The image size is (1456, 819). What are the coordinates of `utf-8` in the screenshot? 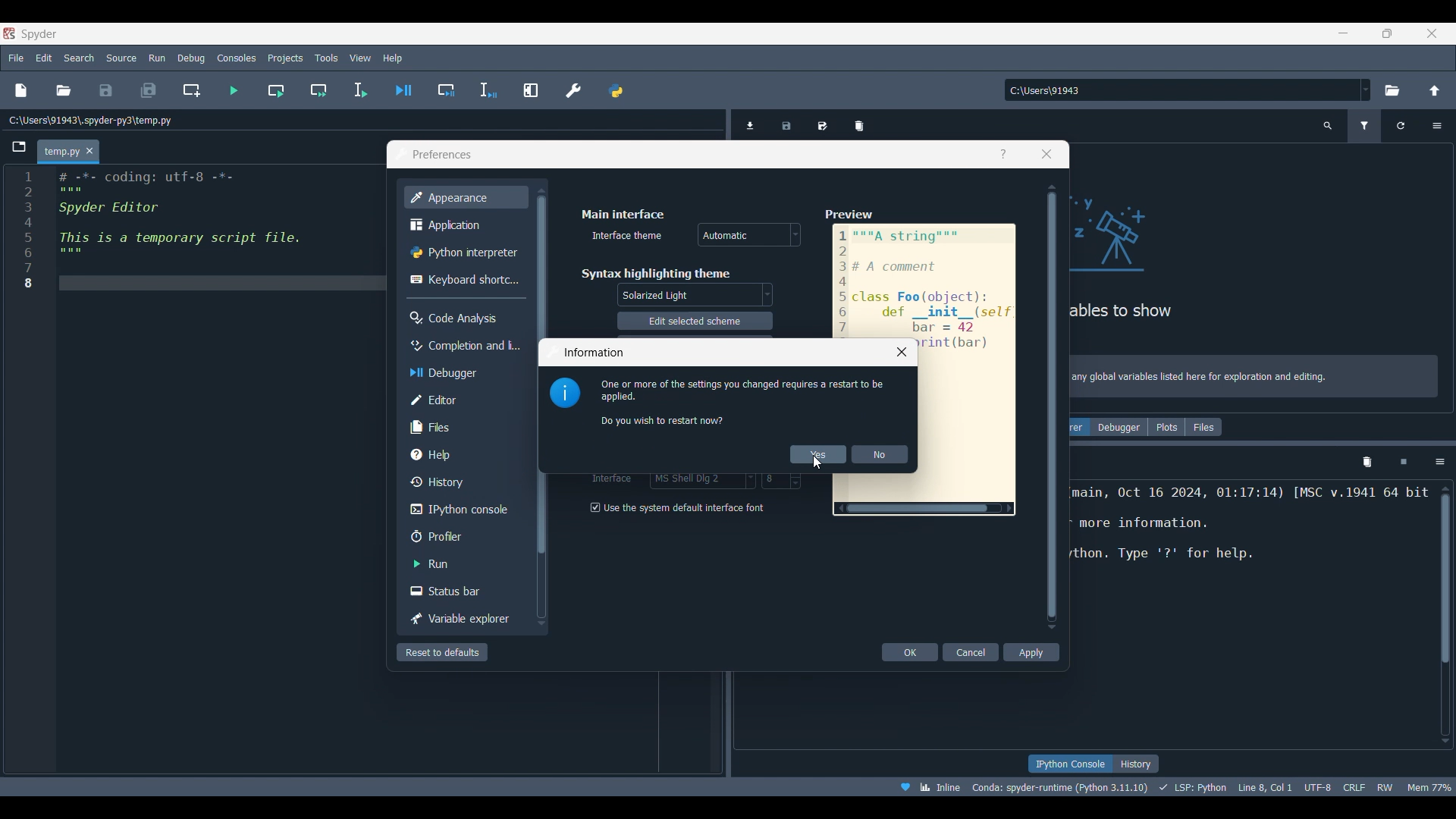 It's located at (1316, 786).